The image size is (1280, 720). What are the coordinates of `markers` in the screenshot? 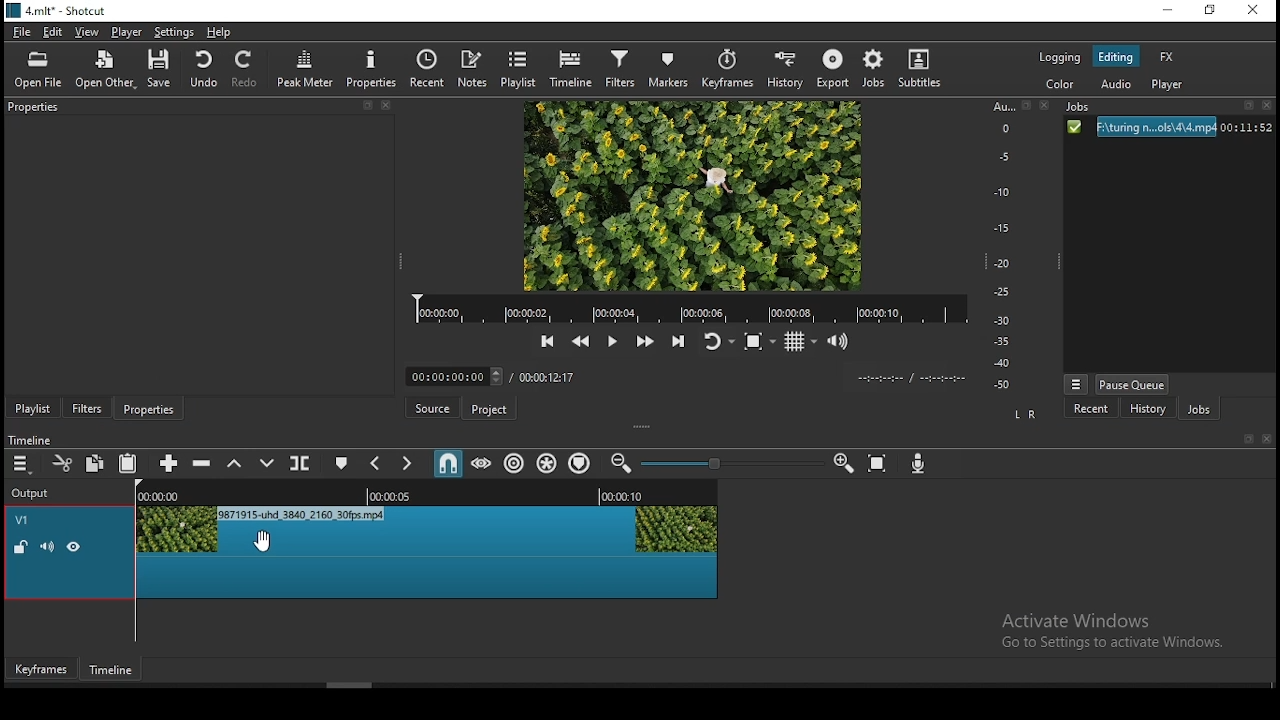 It's located at (669, 69).